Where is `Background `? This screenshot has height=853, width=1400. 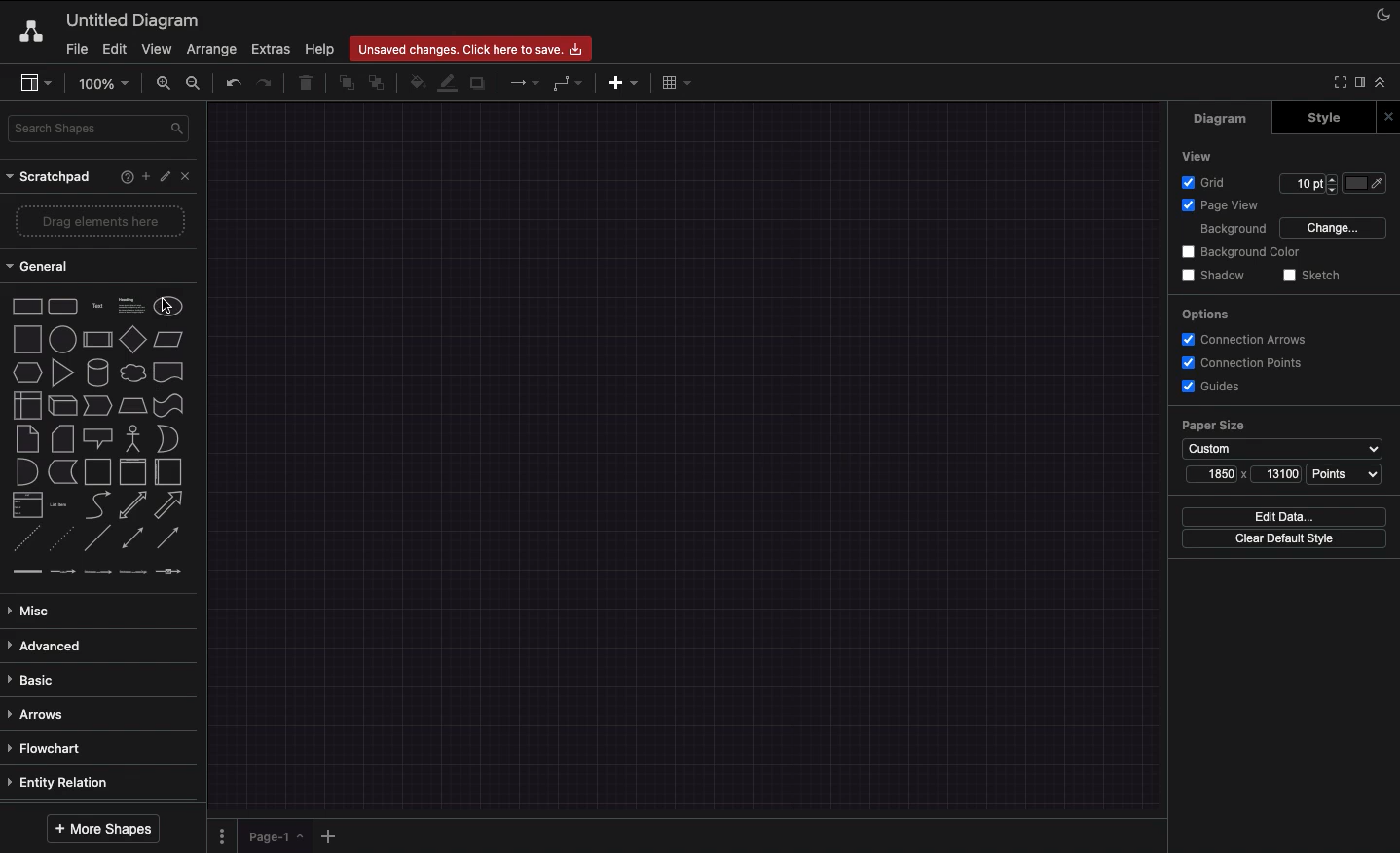 Background  is located at coordinates (1221, 230).